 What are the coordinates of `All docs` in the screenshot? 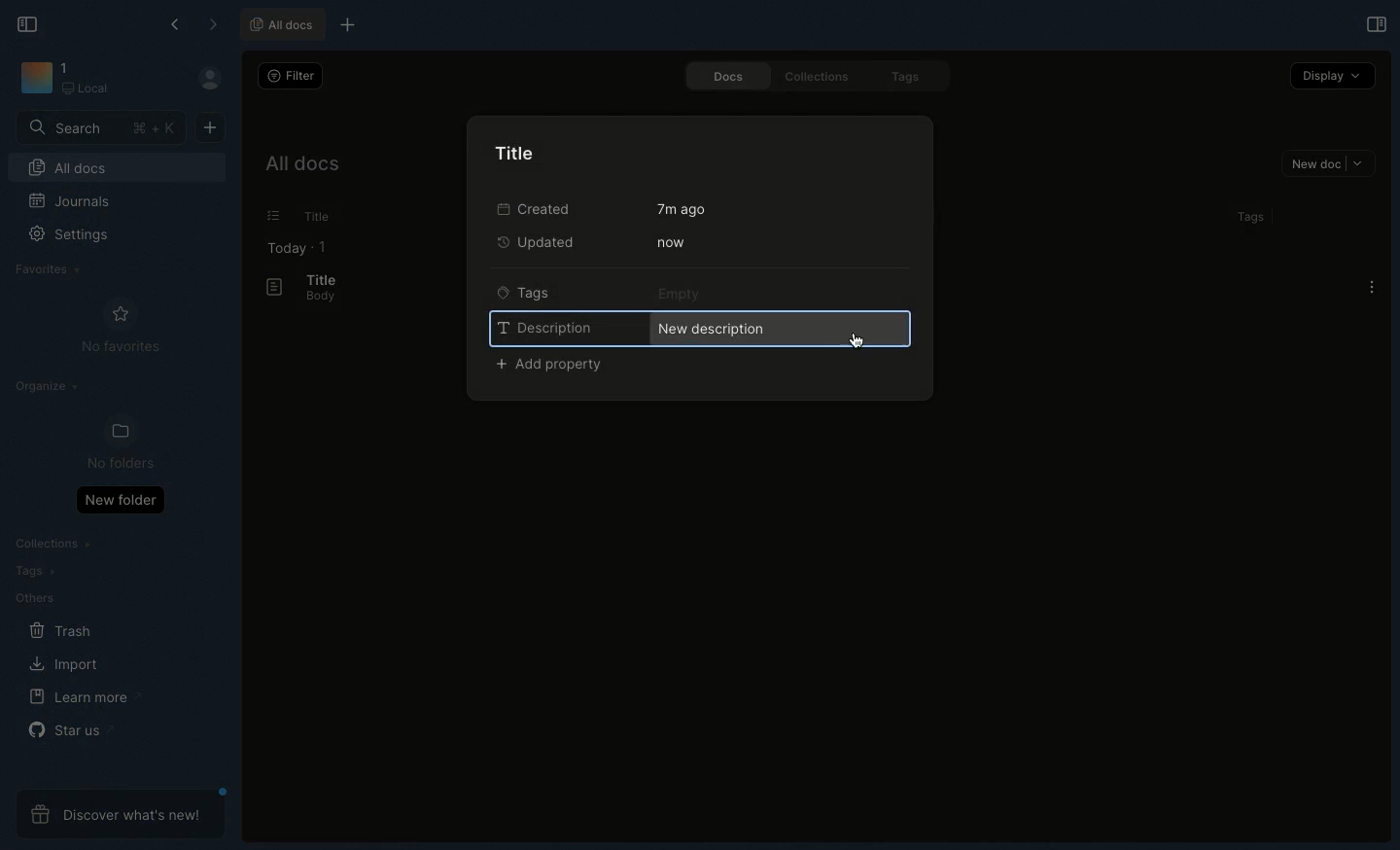 It's located at (280, 25).